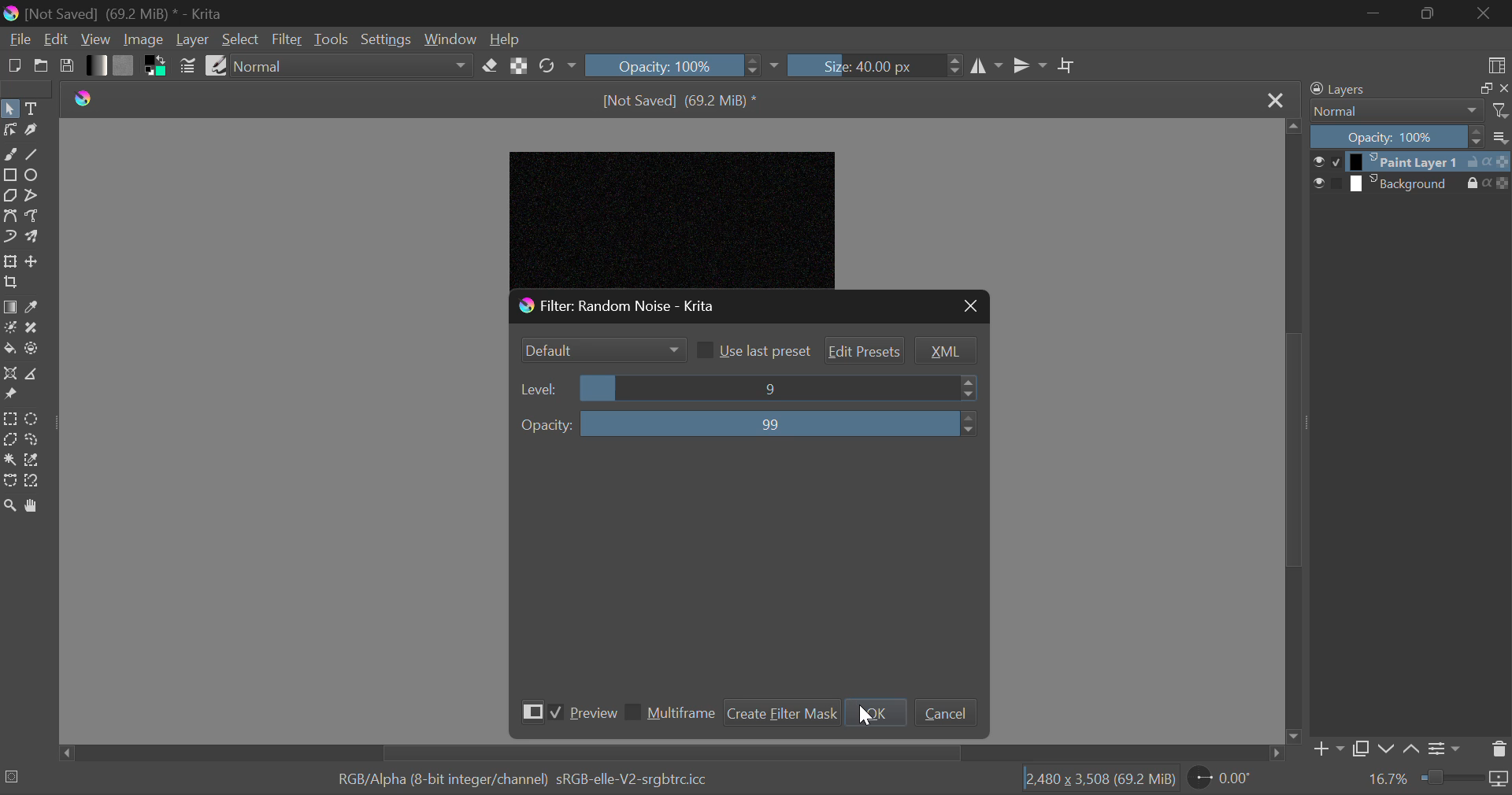 The image size is (1512, 795). Describe the element at coordinates (9, 110) in the screenshot. I see `Select` at that location.